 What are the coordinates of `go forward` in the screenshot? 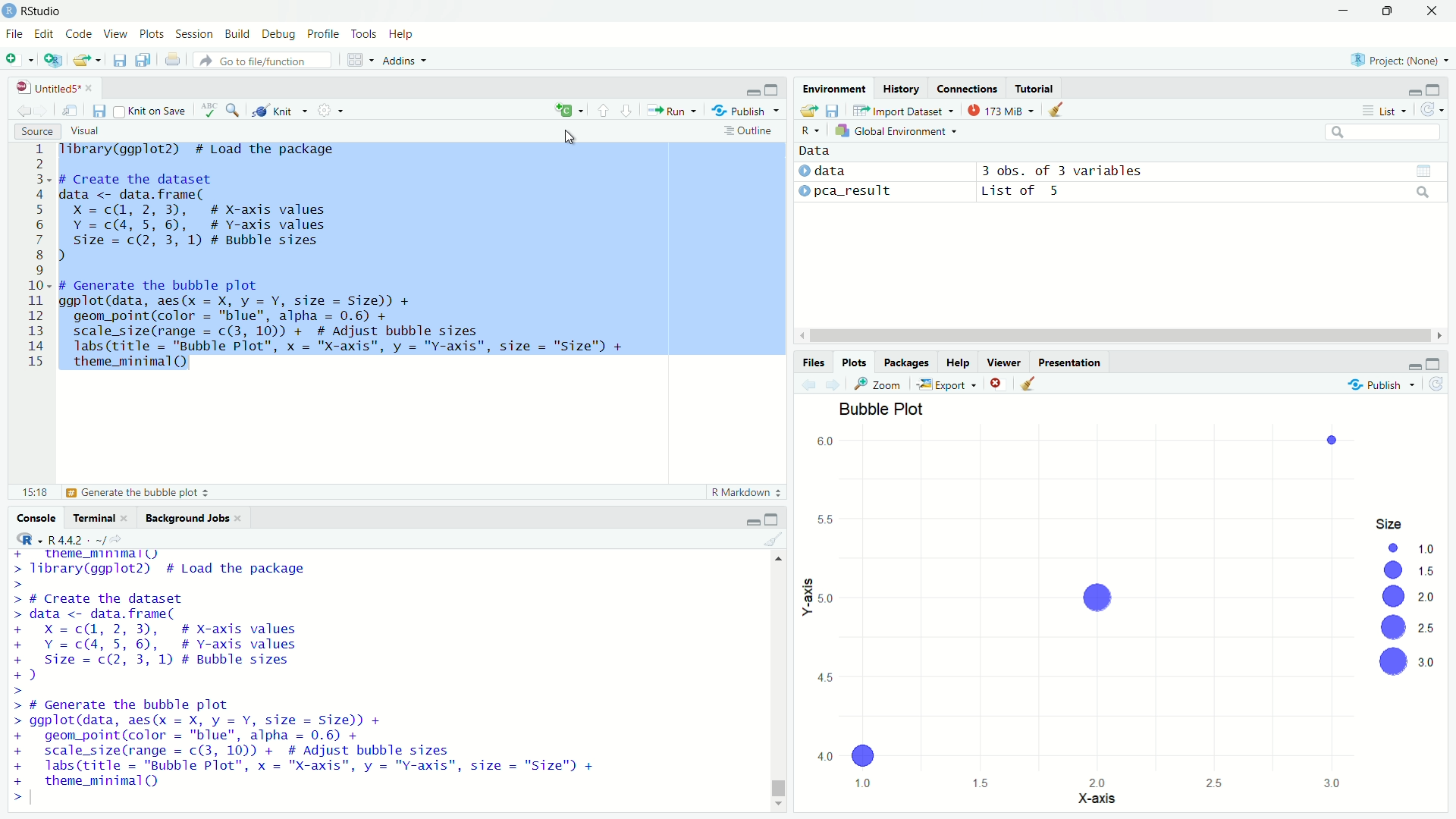 It's located at (46, 108).